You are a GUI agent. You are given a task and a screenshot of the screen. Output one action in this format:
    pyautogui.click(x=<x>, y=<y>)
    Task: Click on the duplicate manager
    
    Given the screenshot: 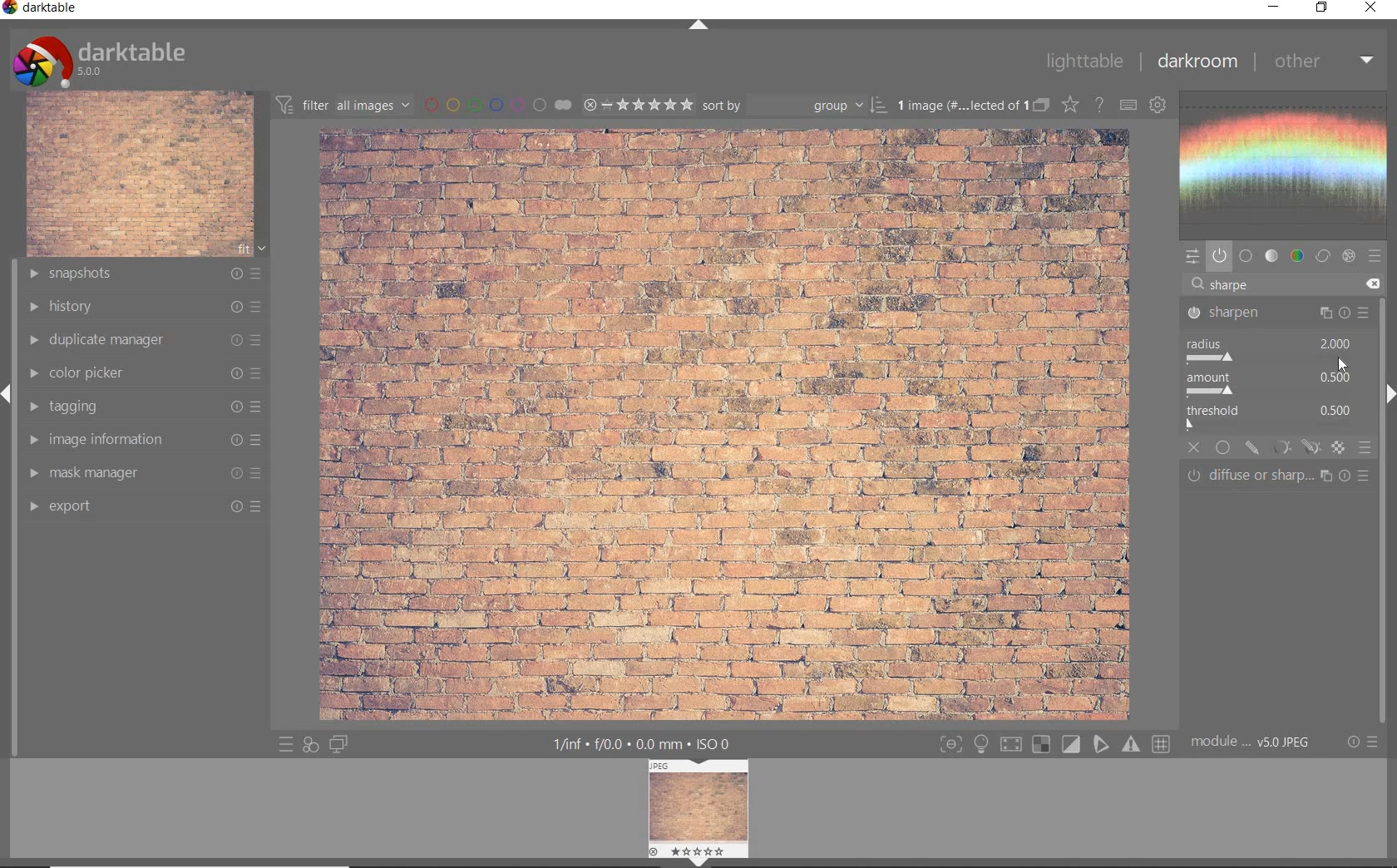 What is the action you would take?
    pyautogui.click(x=146, y=342)
    